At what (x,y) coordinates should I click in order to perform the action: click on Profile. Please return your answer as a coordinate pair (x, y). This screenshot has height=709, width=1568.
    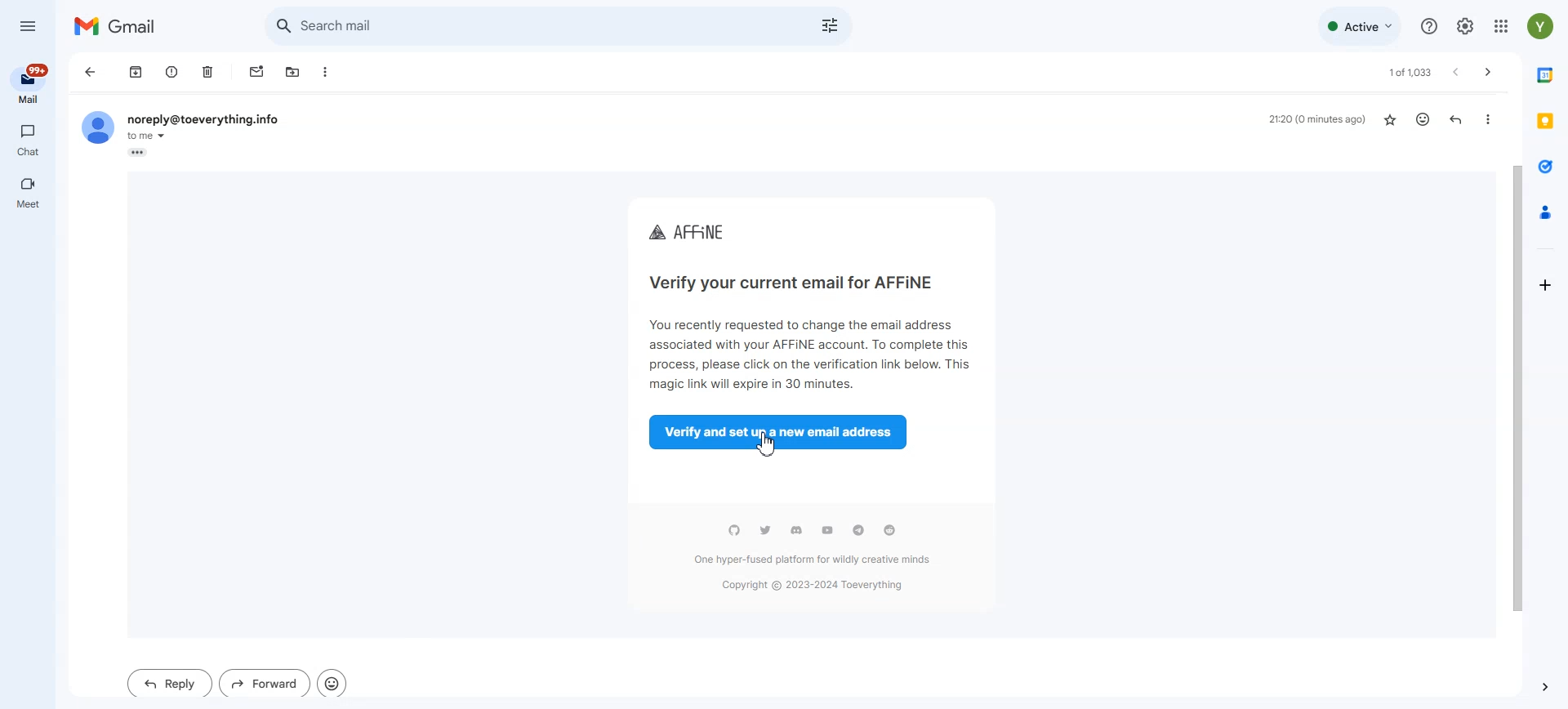
    Looking at the image, I should click on (96, 128).